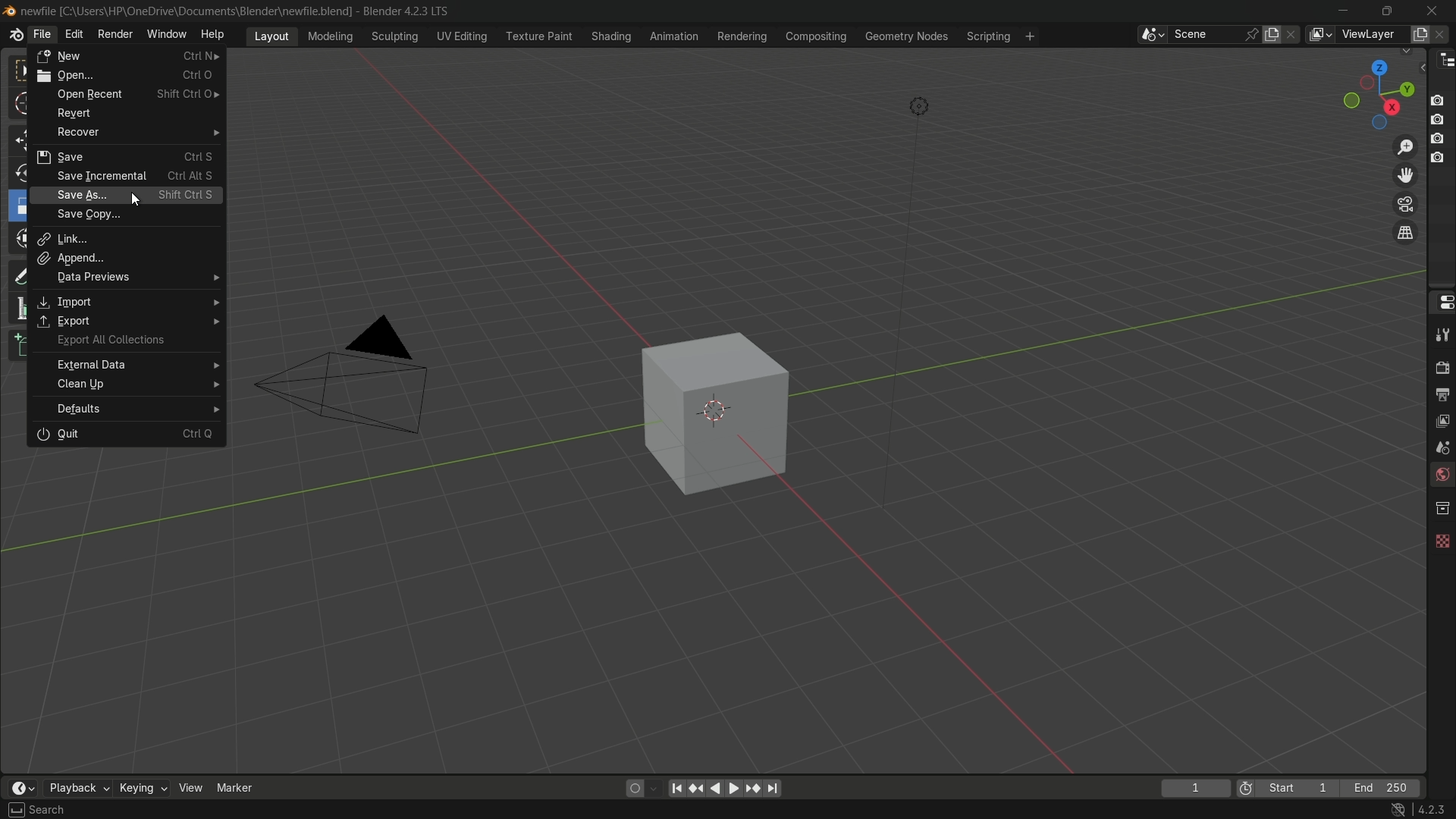  I want to click on texture paint menu, so click(538, 35).